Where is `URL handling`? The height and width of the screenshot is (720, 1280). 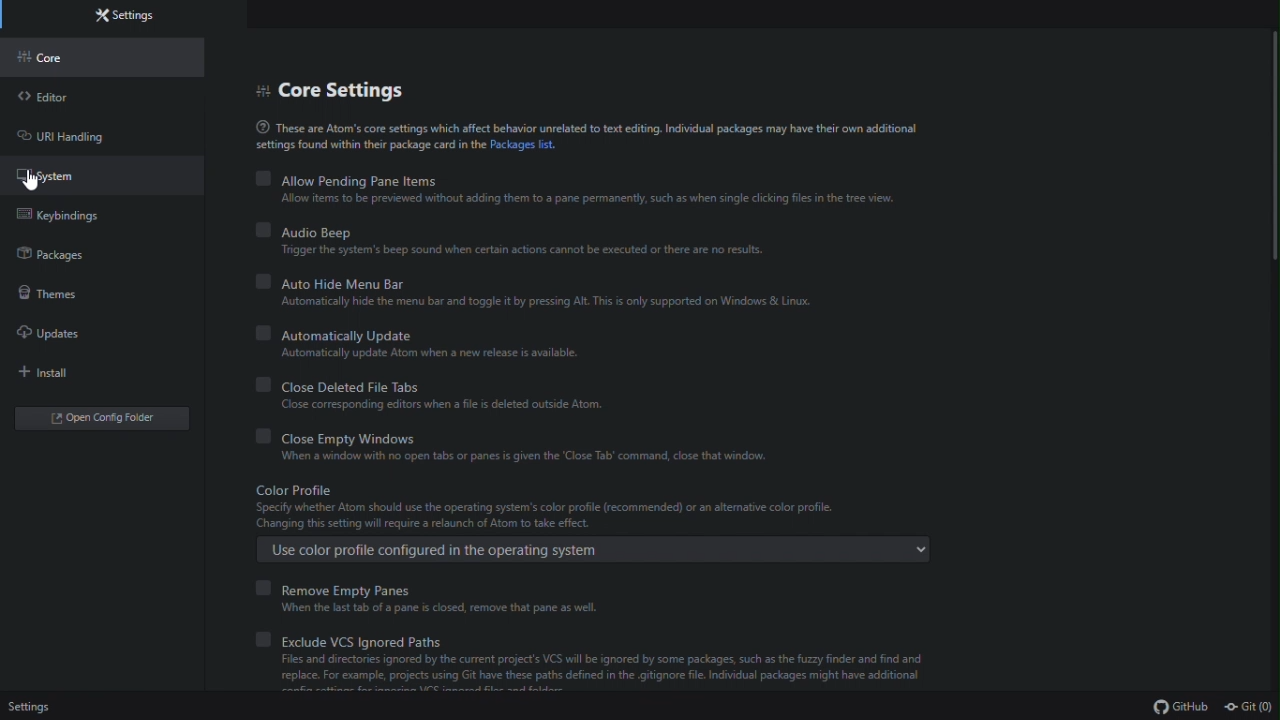 URL handling is located at coordinates (71, 141).